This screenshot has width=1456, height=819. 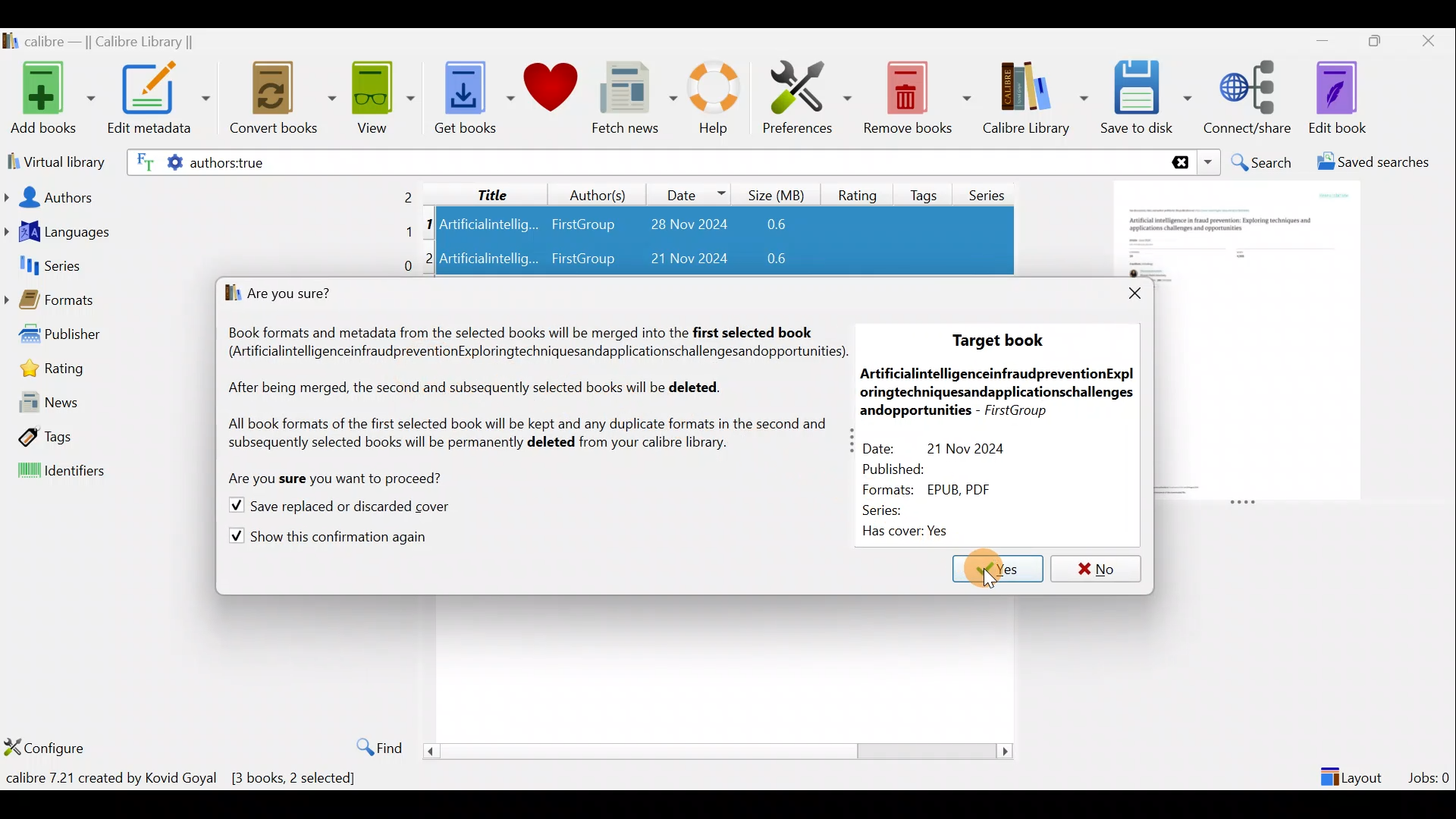 I want to click on Search, so click(x=1263, y=162).